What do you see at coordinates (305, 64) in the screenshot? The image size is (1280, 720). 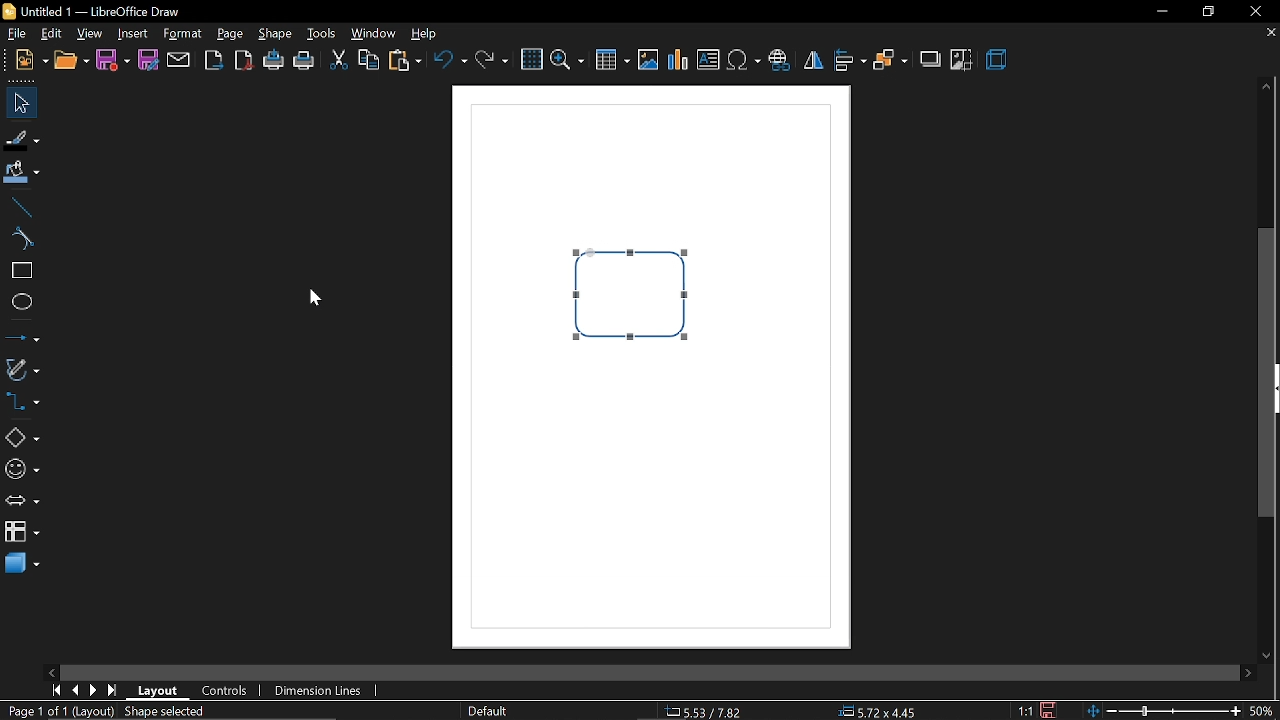 I see `print` at bounding box center [305, 64].